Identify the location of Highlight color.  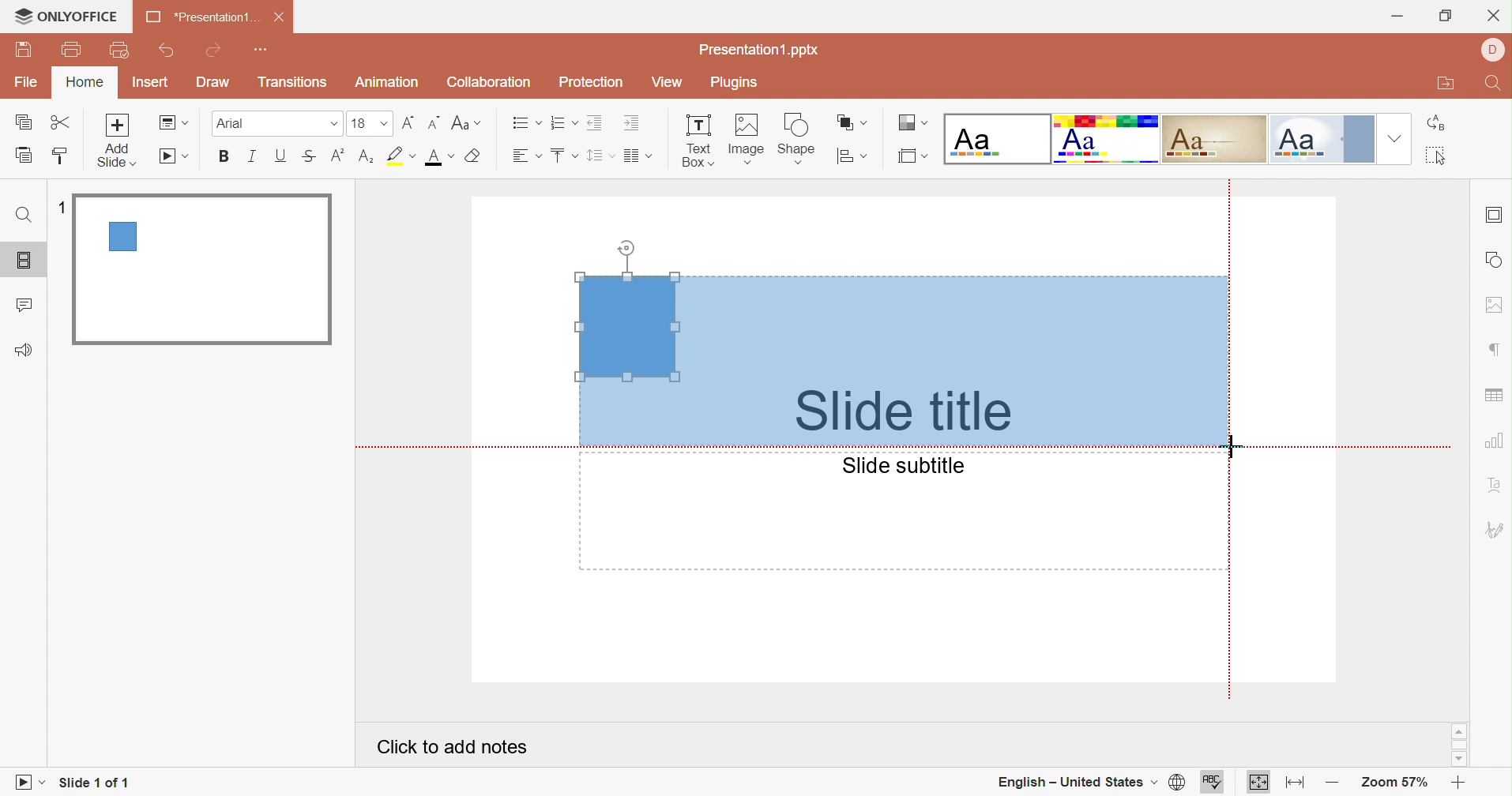
(400, 157).